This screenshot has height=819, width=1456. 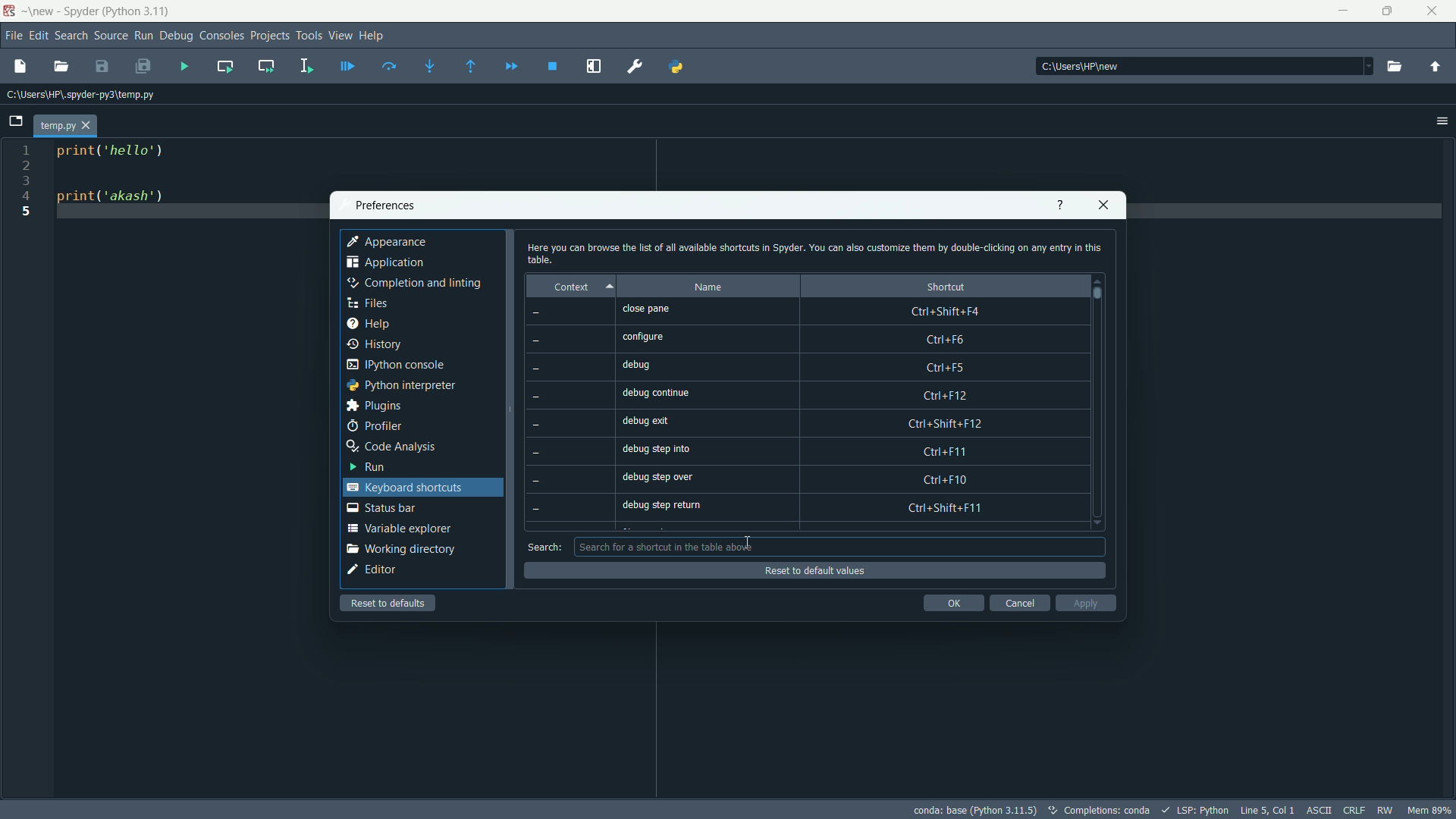 What do you see at coordinates (384, 262) in the screenshot?
I see `application` at bounding box center [384, 262].